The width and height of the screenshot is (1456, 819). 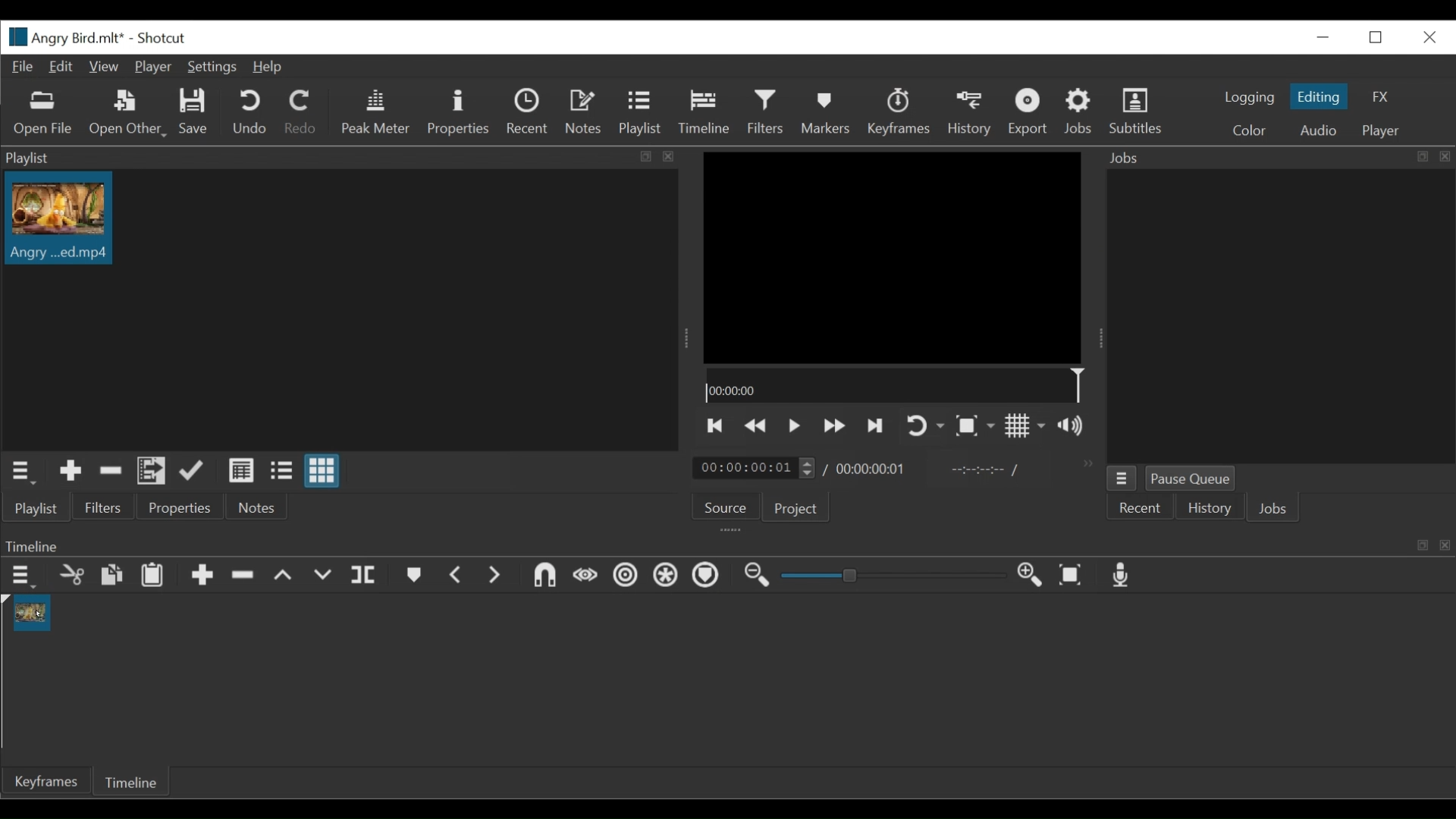 I want to click on View as file, so click(x=281, y=471).